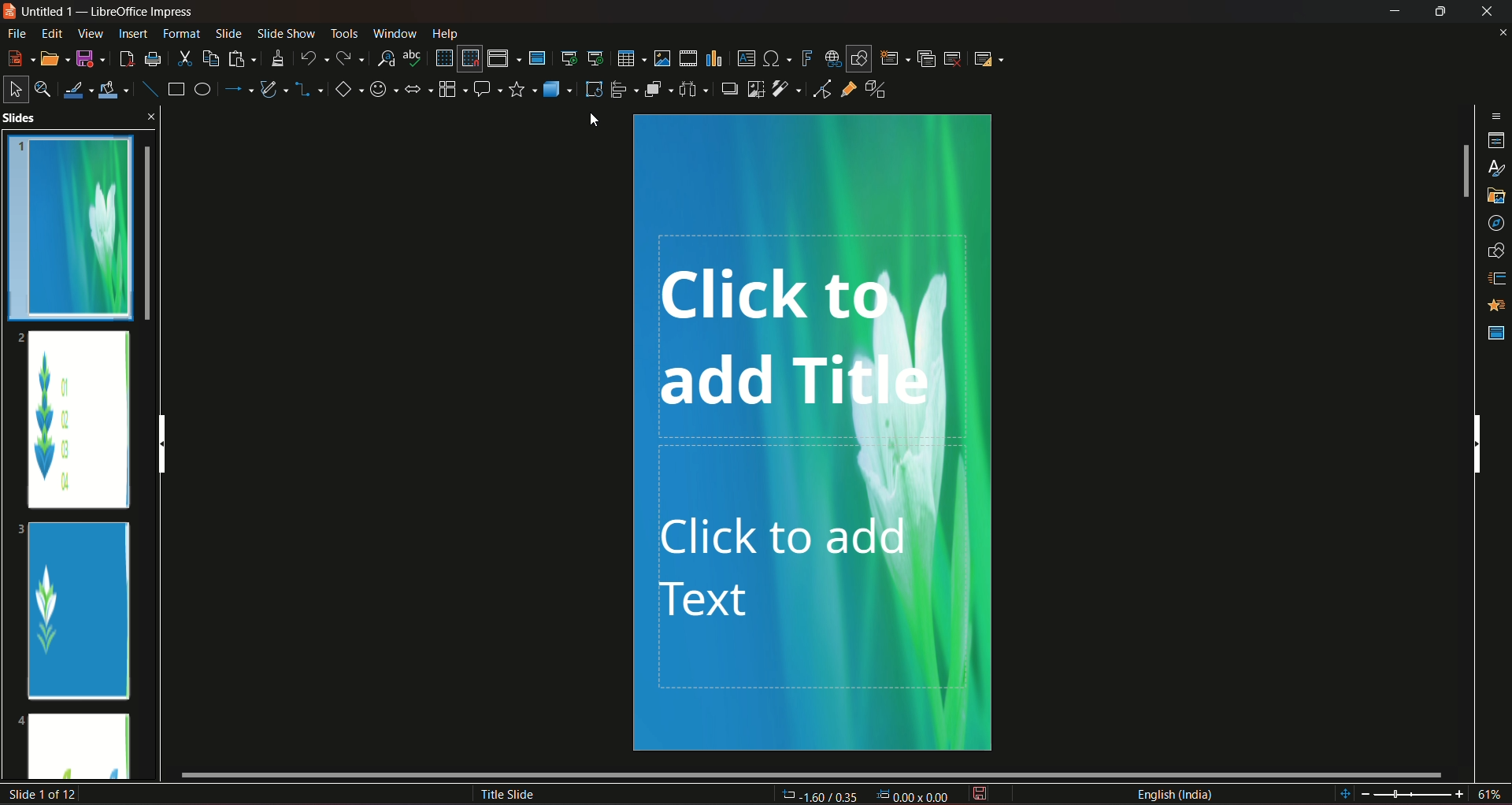 The height and width of the screenshot is (805, 1512). I want to click on slide transition, so click(1494, 280).